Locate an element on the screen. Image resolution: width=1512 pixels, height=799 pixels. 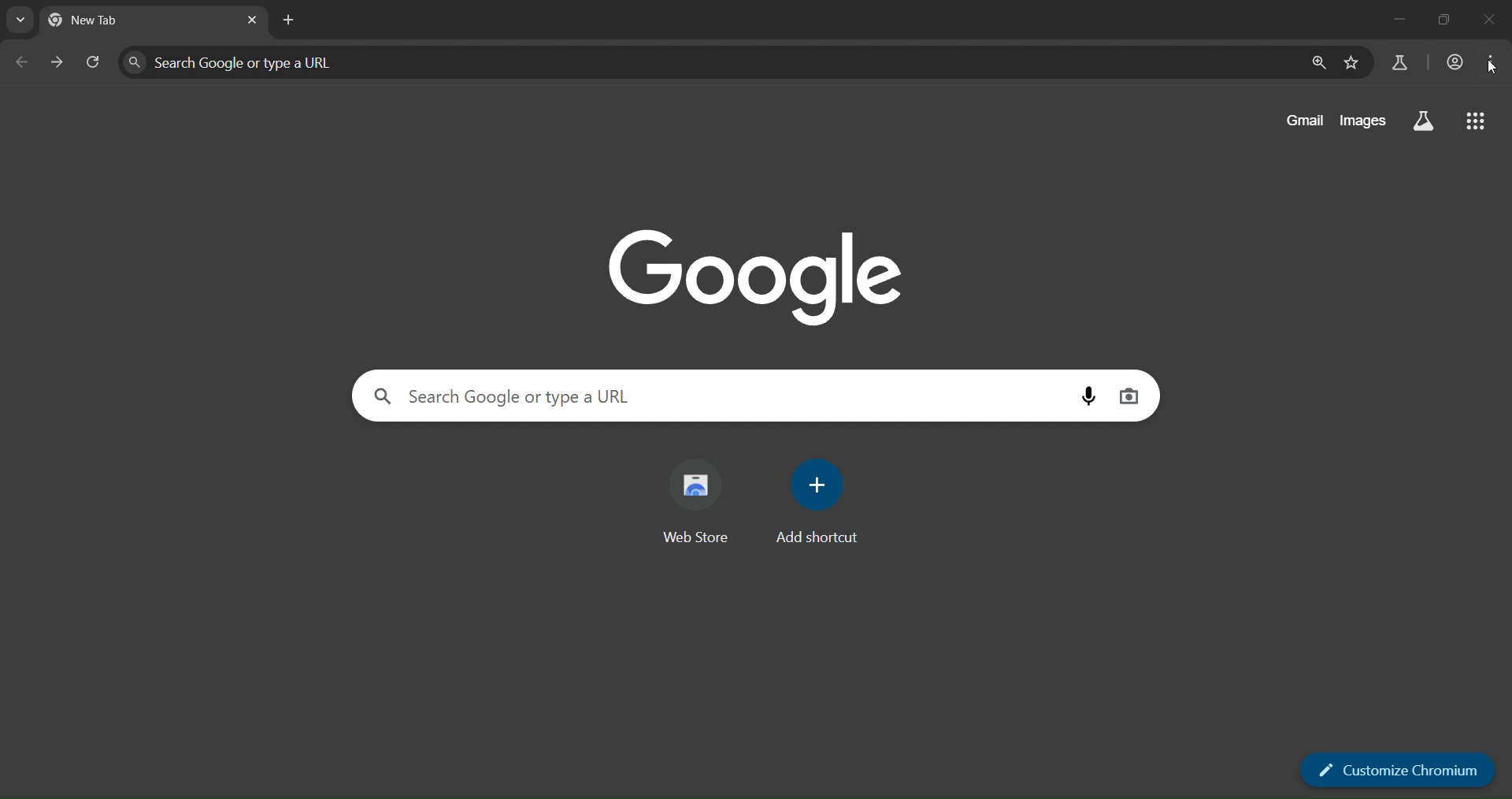
account is located at coordinates (1454, 63).